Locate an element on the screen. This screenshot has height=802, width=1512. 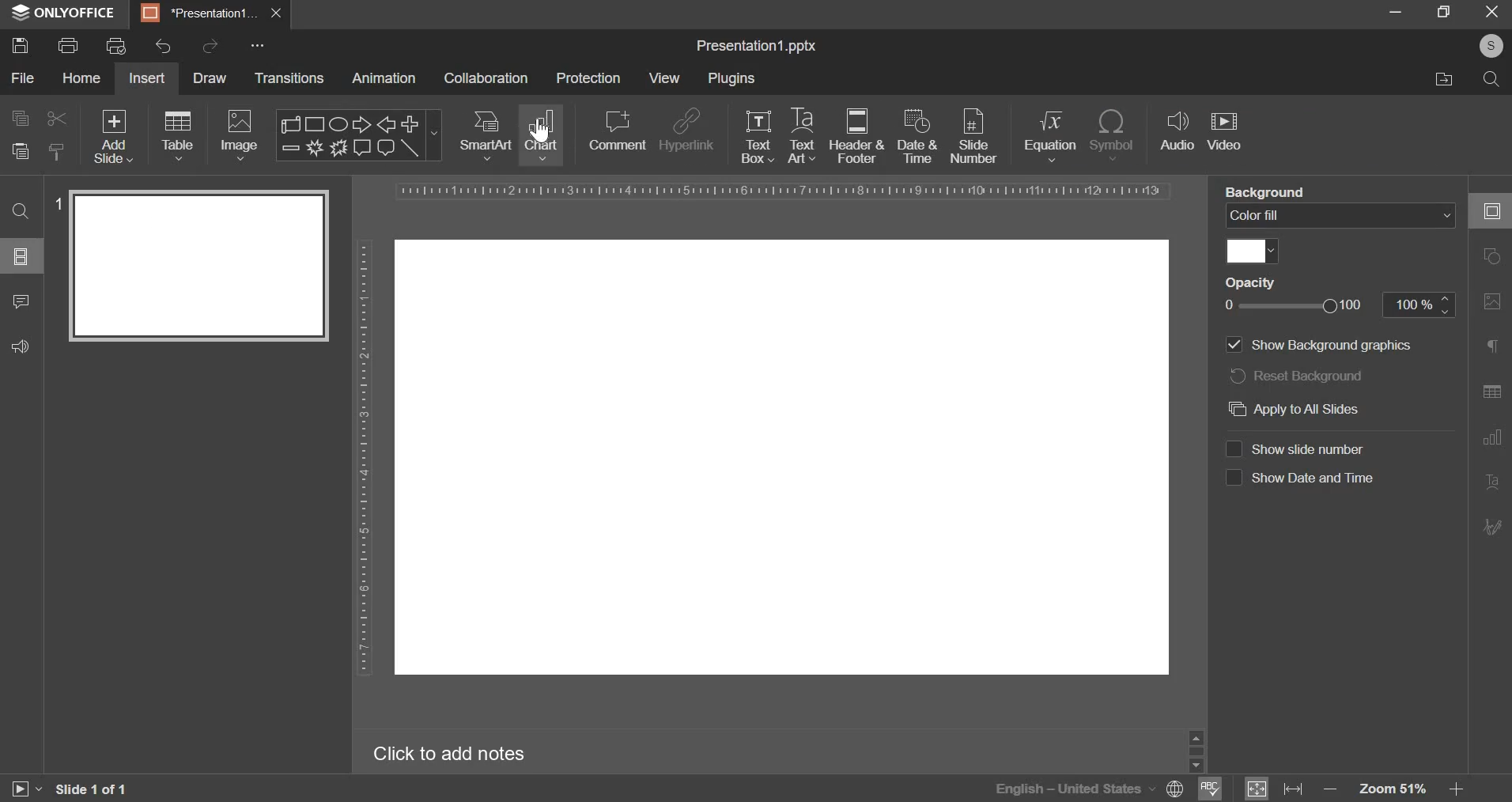
profile is located at coordinates (1490, 44).